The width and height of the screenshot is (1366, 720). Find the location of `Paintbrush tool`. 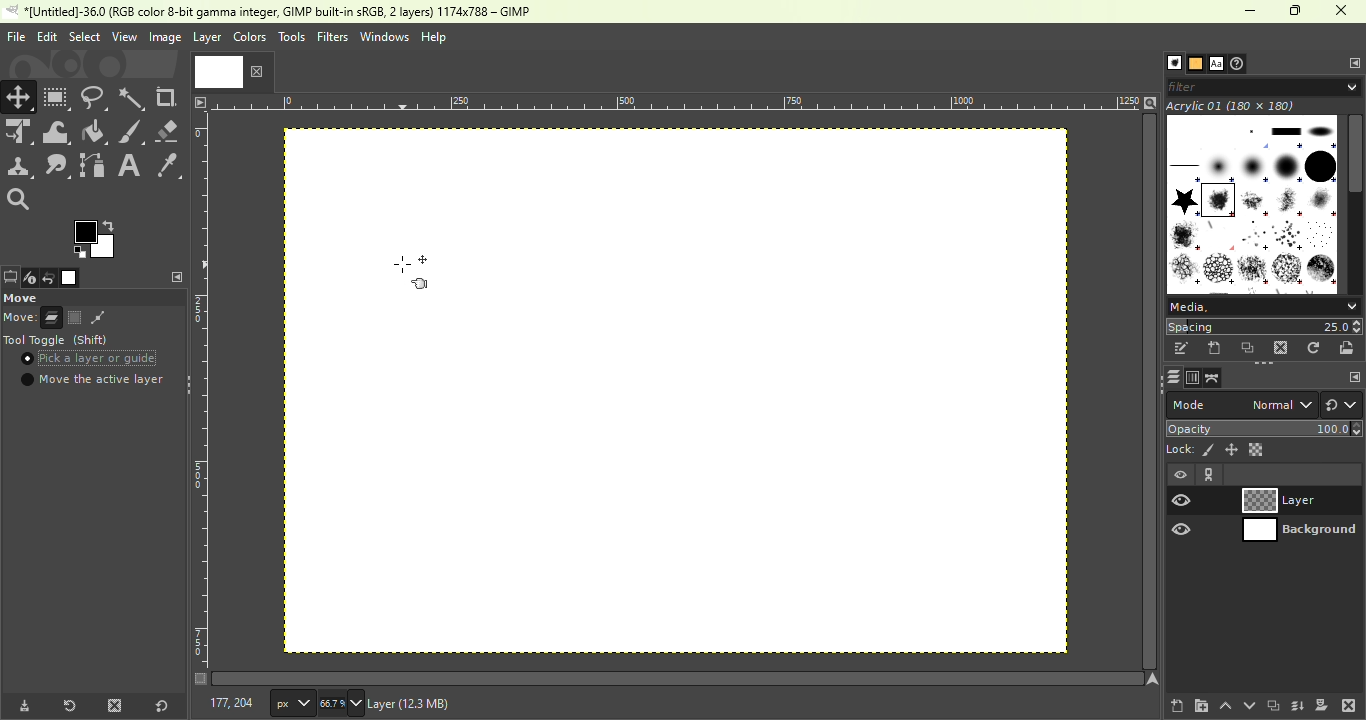

Paintbrush tool is located at coordinates (132, 132).